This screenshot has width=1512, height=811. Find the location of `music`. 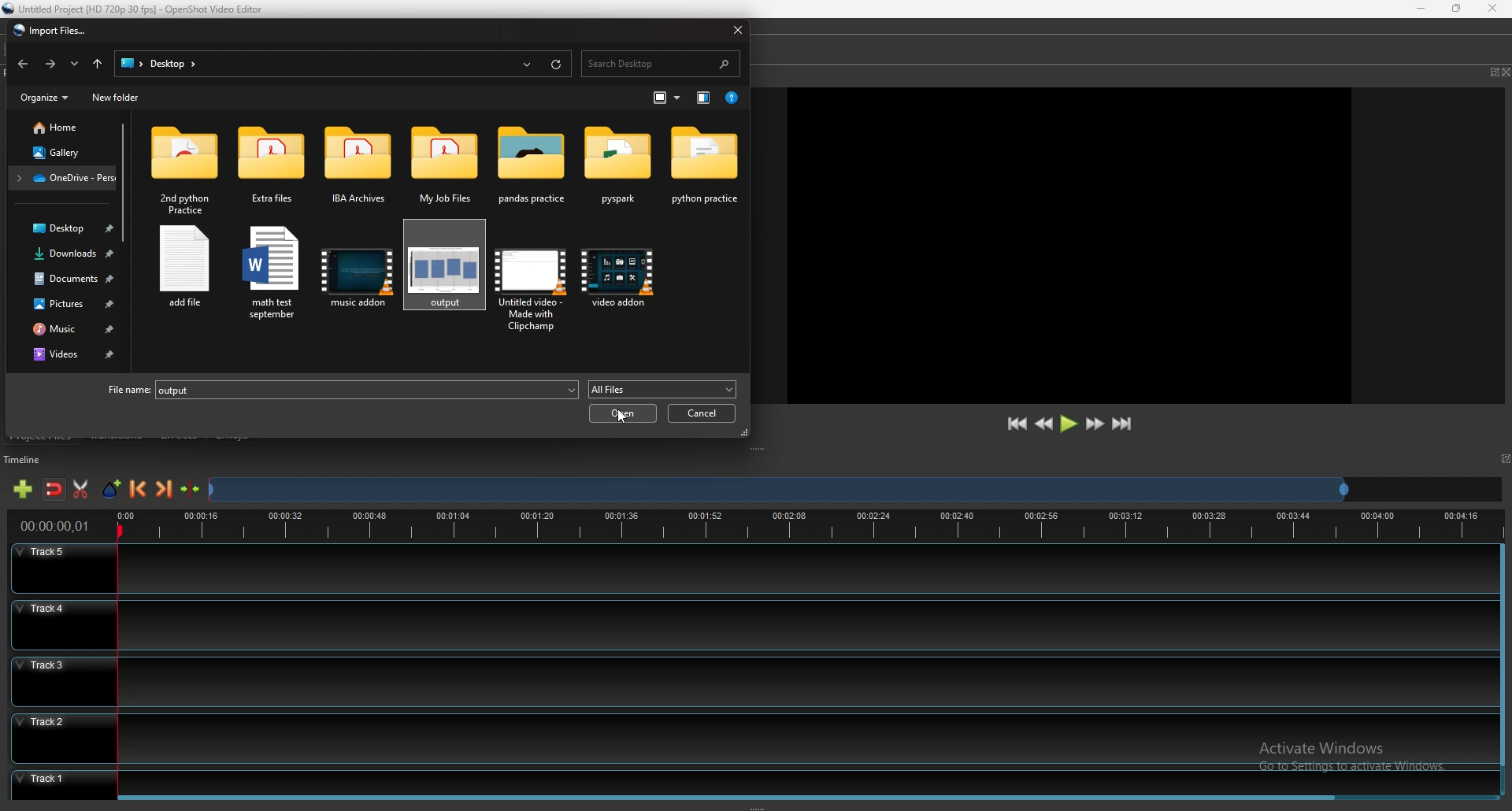

music is located at coordinates (67, 329).